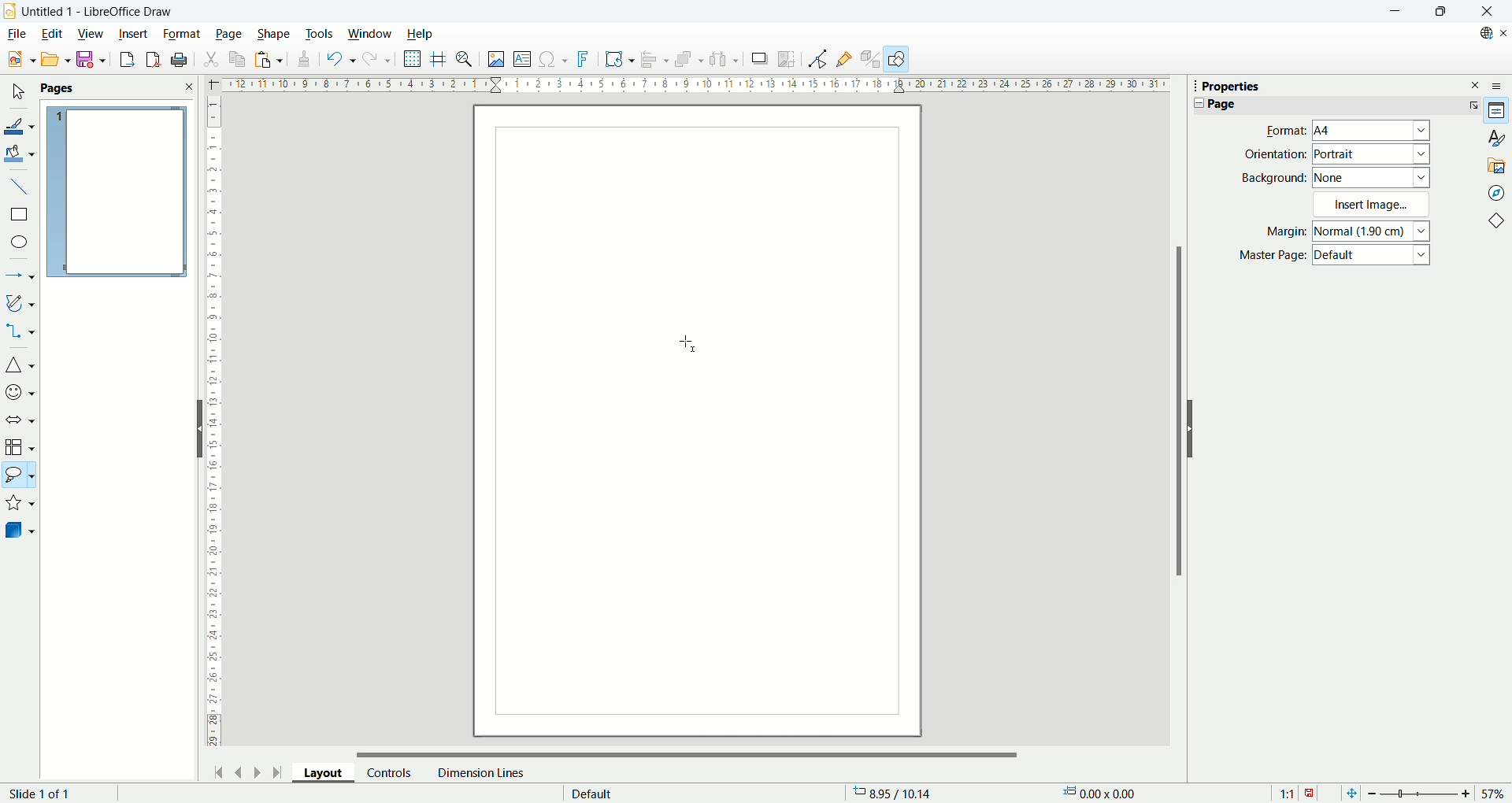 The height and width of the screenshot is (803, 1512). What do you see at coordinates (20, 391) in the screenshot?
I see `symbol shapes` at bounding box center [20, 391].